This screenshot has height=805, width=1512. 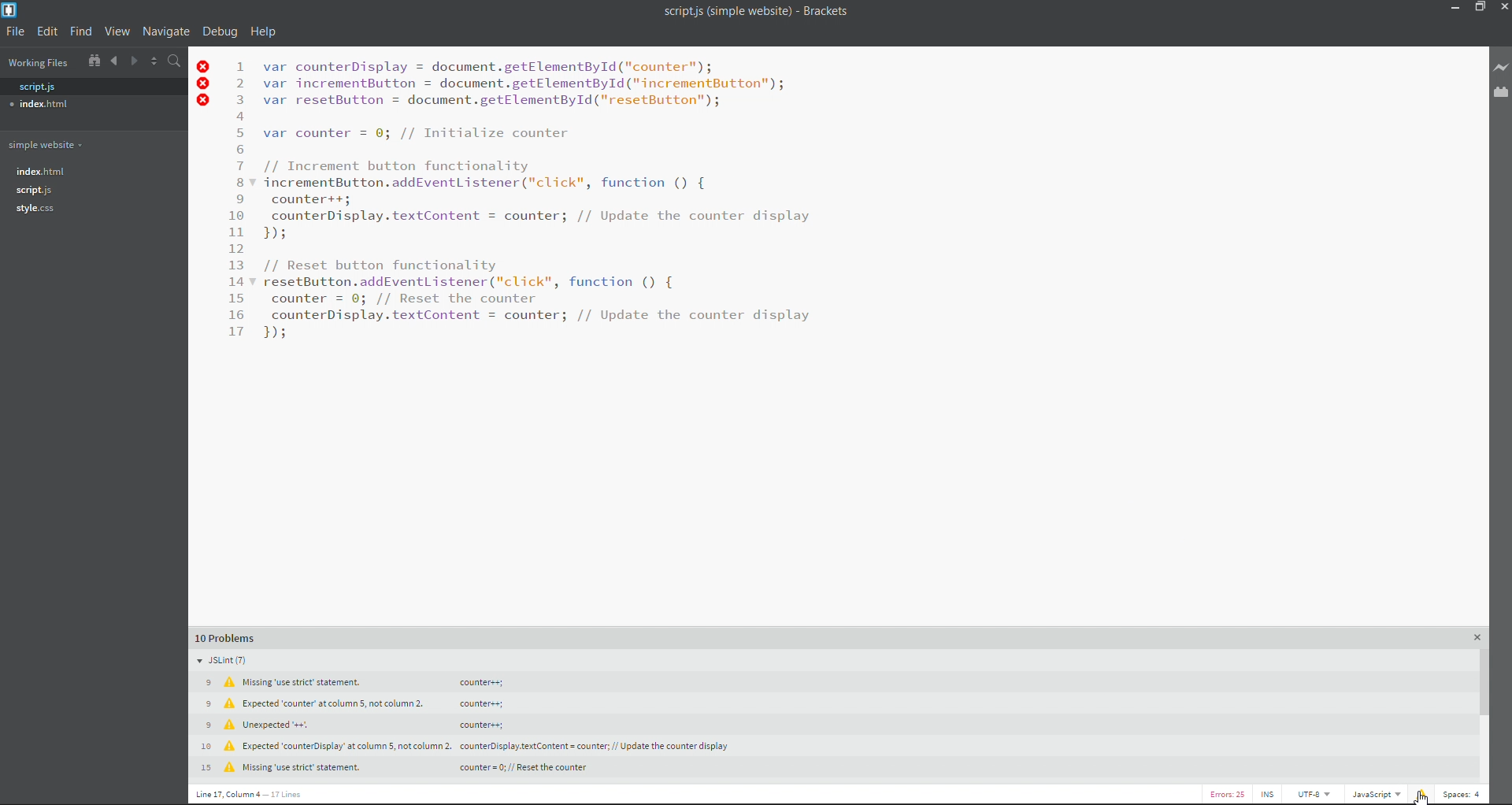 What do you see at coordinates (750, 13) in the screenshot?
I see `scriptjs (simple website) - Brackets` at bounding box center [750, 13].